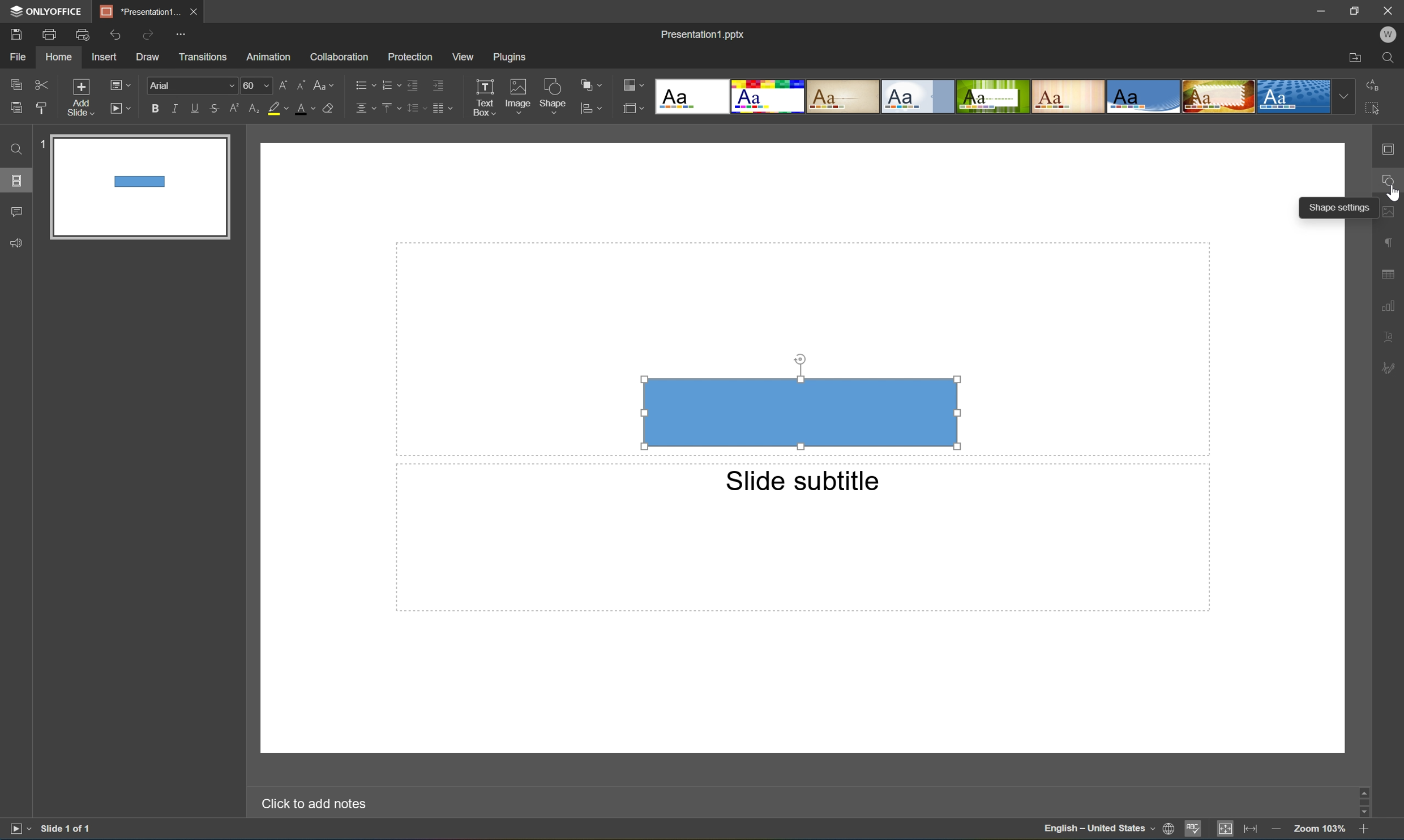 This screenshot has height=840, width=1404. I want to click on Cut, so click(40, 83).